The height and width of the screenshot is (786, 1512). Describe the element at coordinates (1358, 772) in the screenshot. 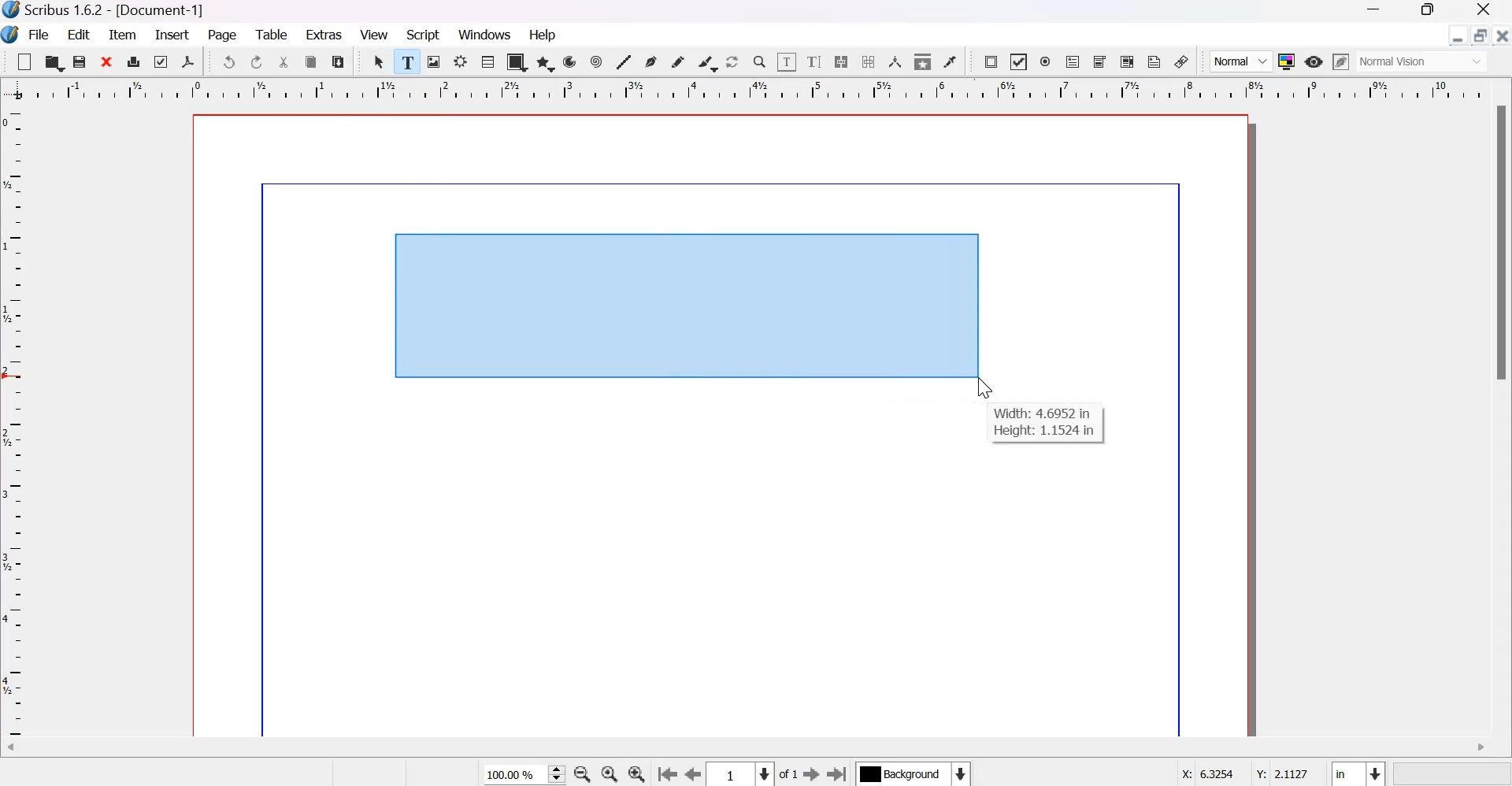

I see `select the current unit` at that location.